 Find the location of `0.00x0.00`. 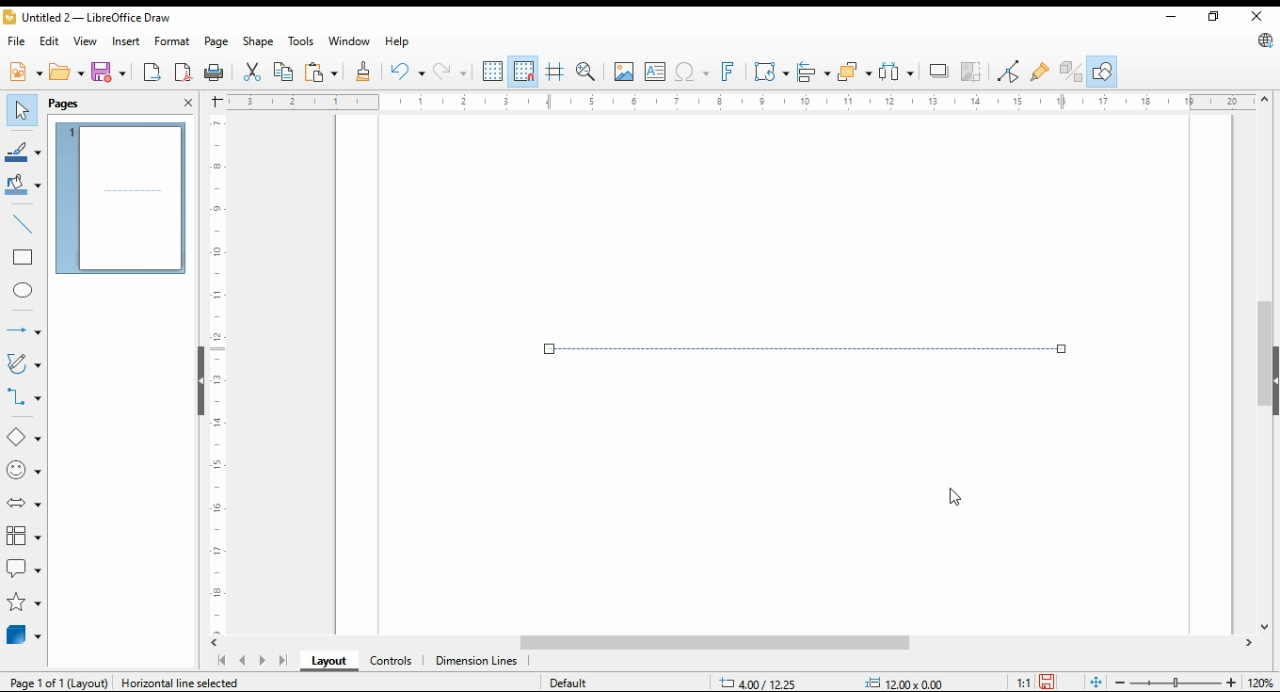

0.00x0.00 is located at coordinates (905, 682).